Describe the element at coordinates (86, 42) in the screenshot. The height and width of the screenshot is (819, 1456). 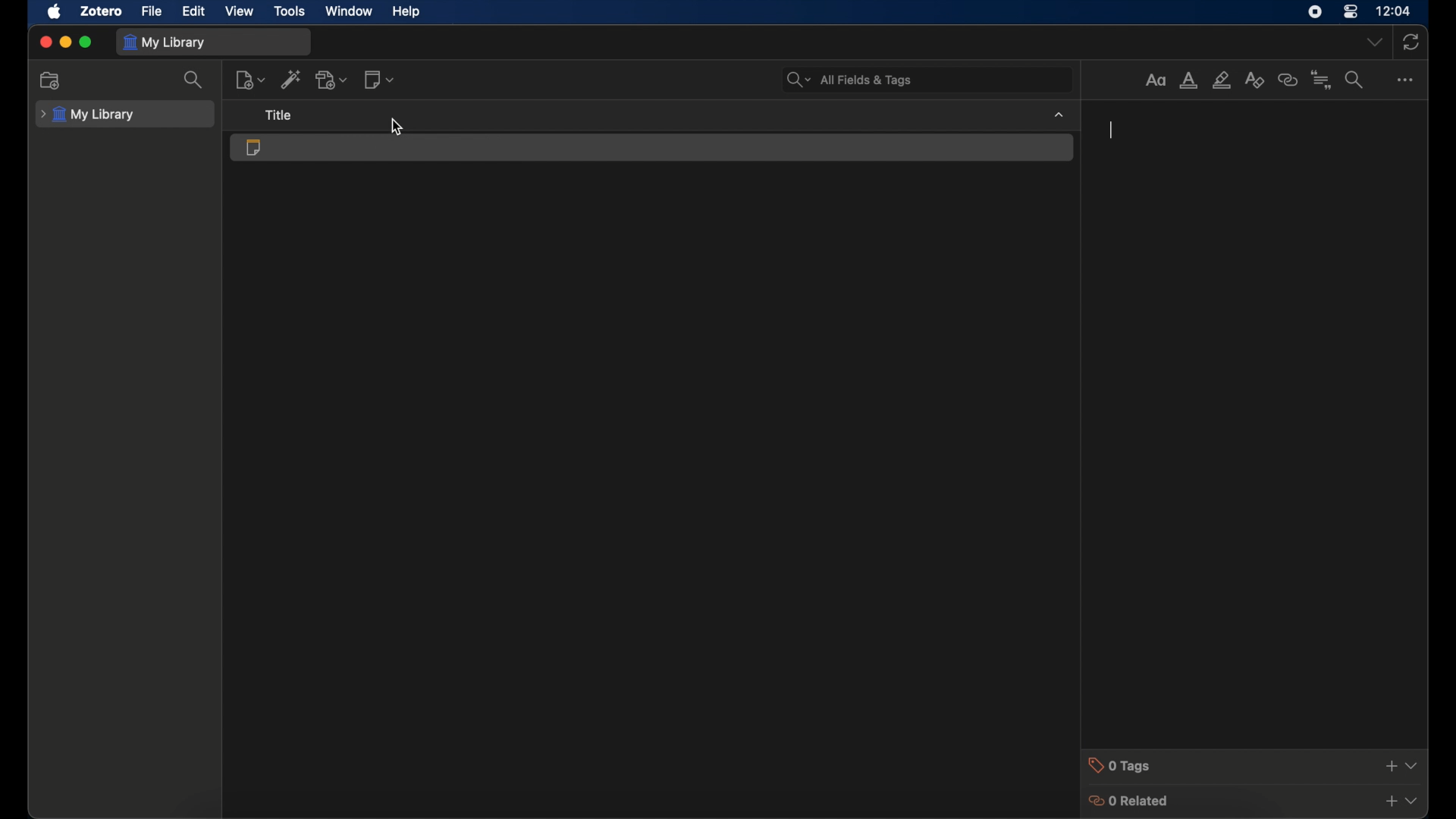
I see `maximize` at that location.